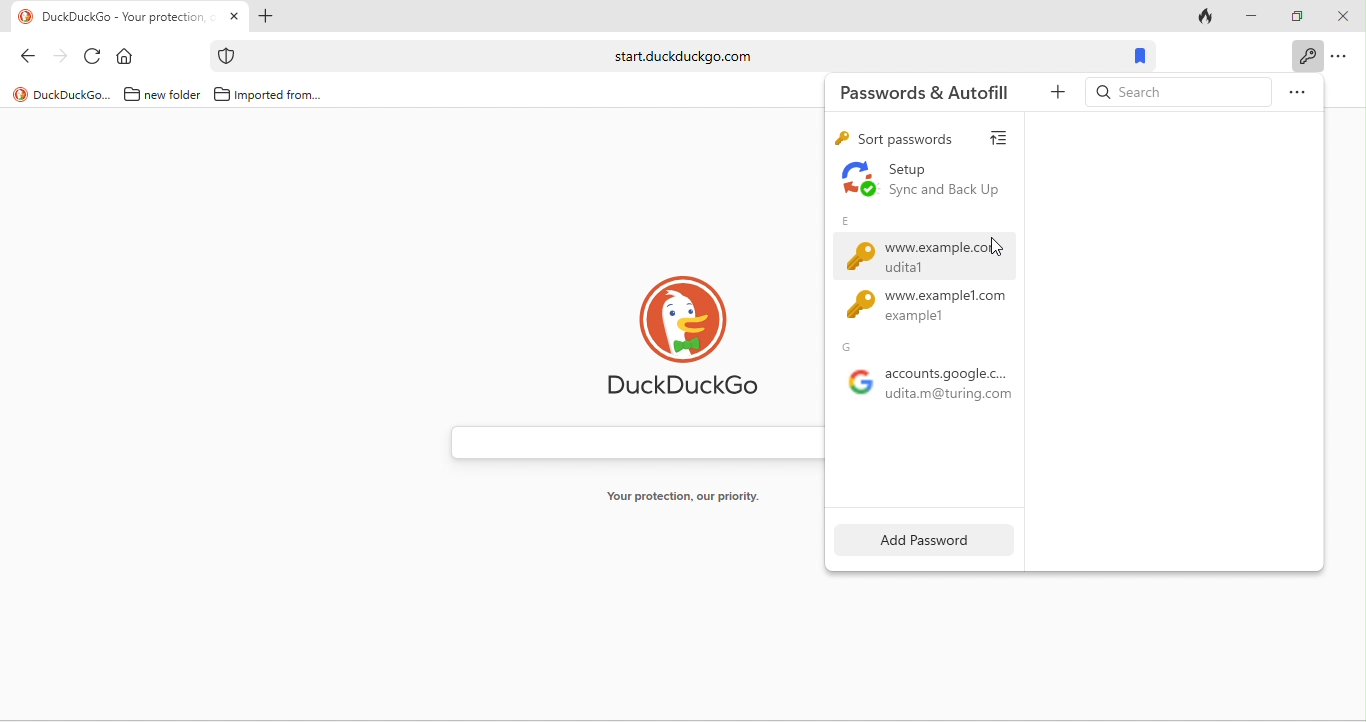 Image resolution: width=1366 pixels, height=722 pixels. What do you see at coordinates (1253, 16) in the screenshot?
I see `minimize` at bounding box center [1253, 16].